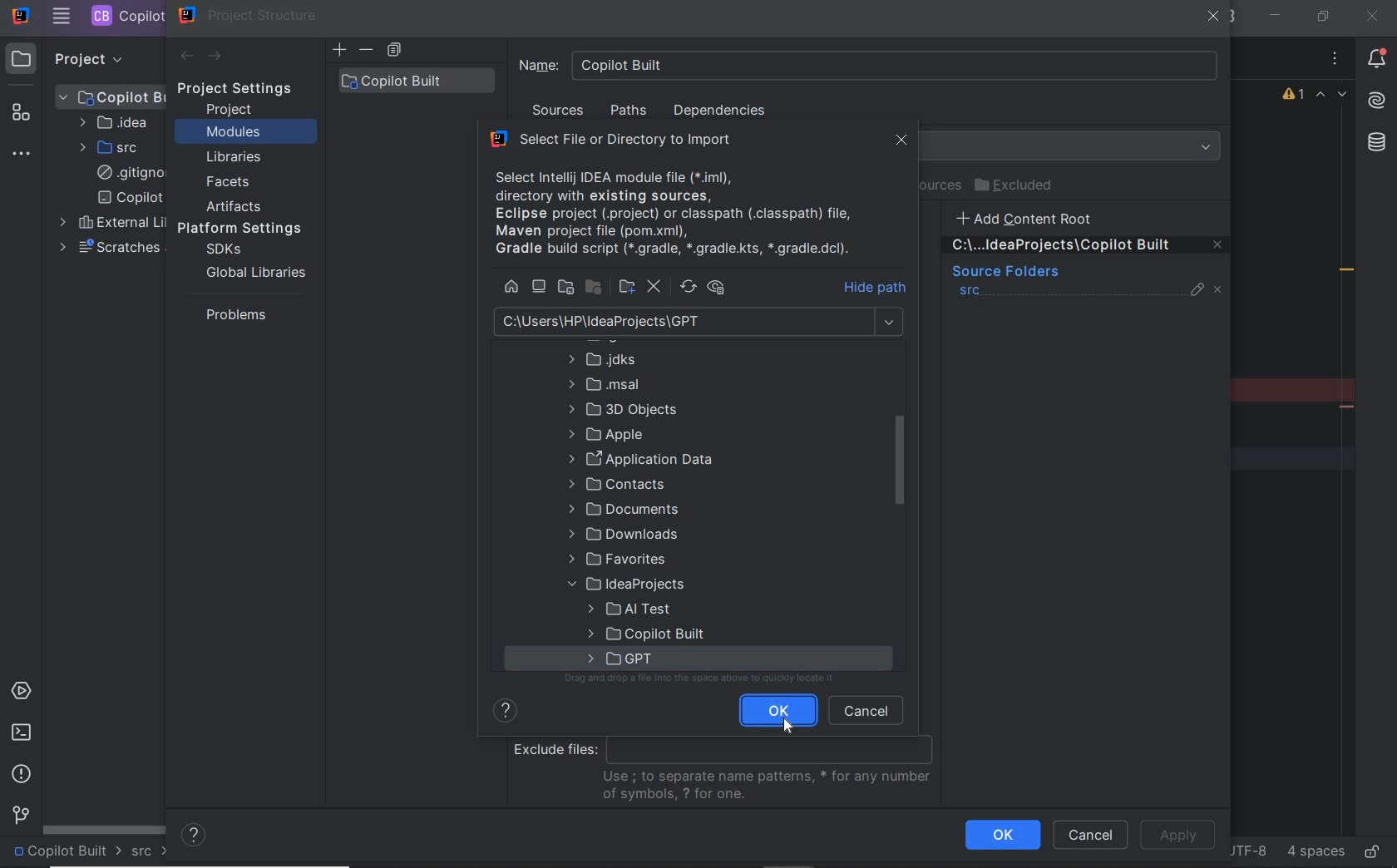 This screenshot has height=868, width=1397. Describe the element at coordinates (627, 288) in the screenshot. I see `new directory` at that location.